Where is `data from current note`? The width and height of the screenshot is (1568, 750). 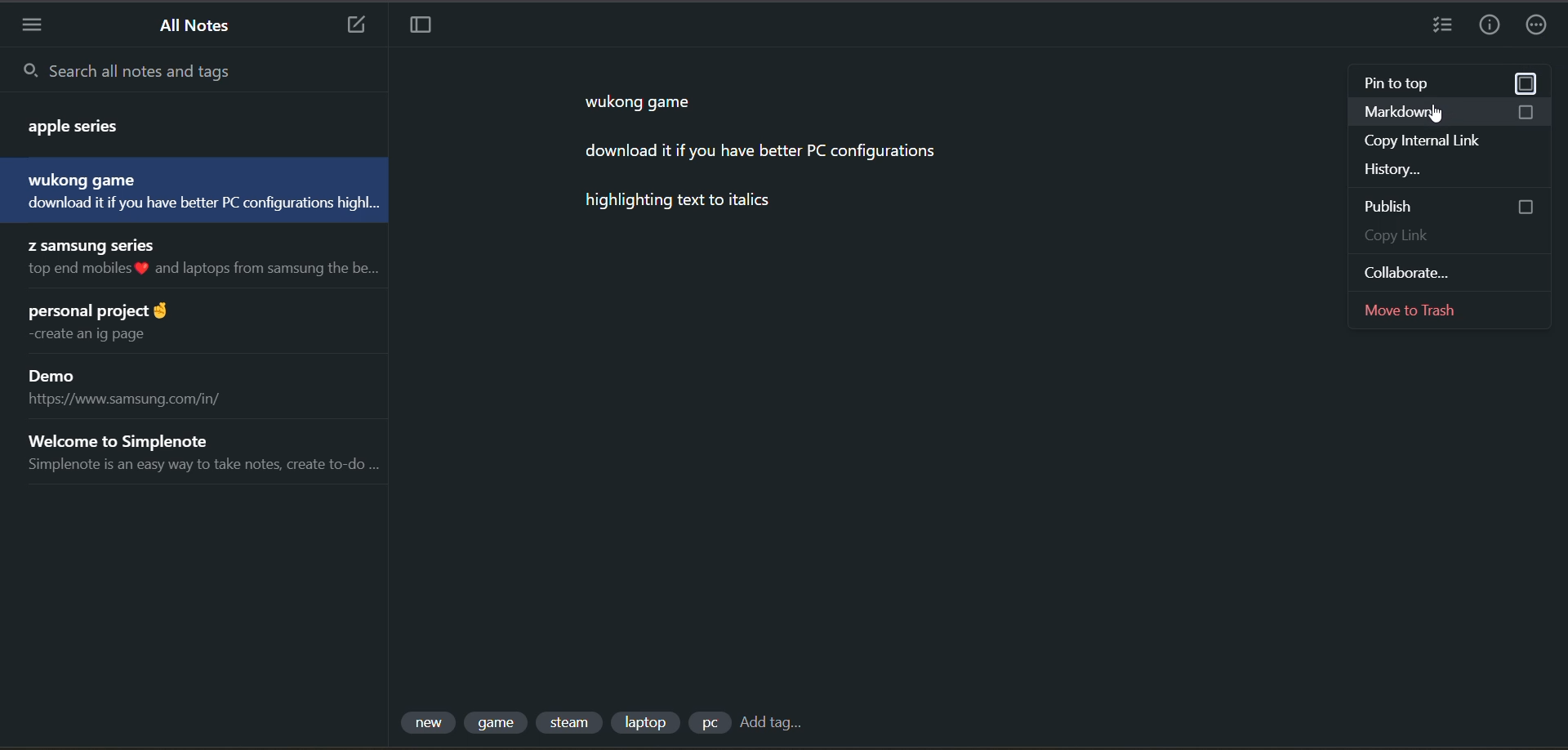 data from current note is located at coordinates (758, 163).